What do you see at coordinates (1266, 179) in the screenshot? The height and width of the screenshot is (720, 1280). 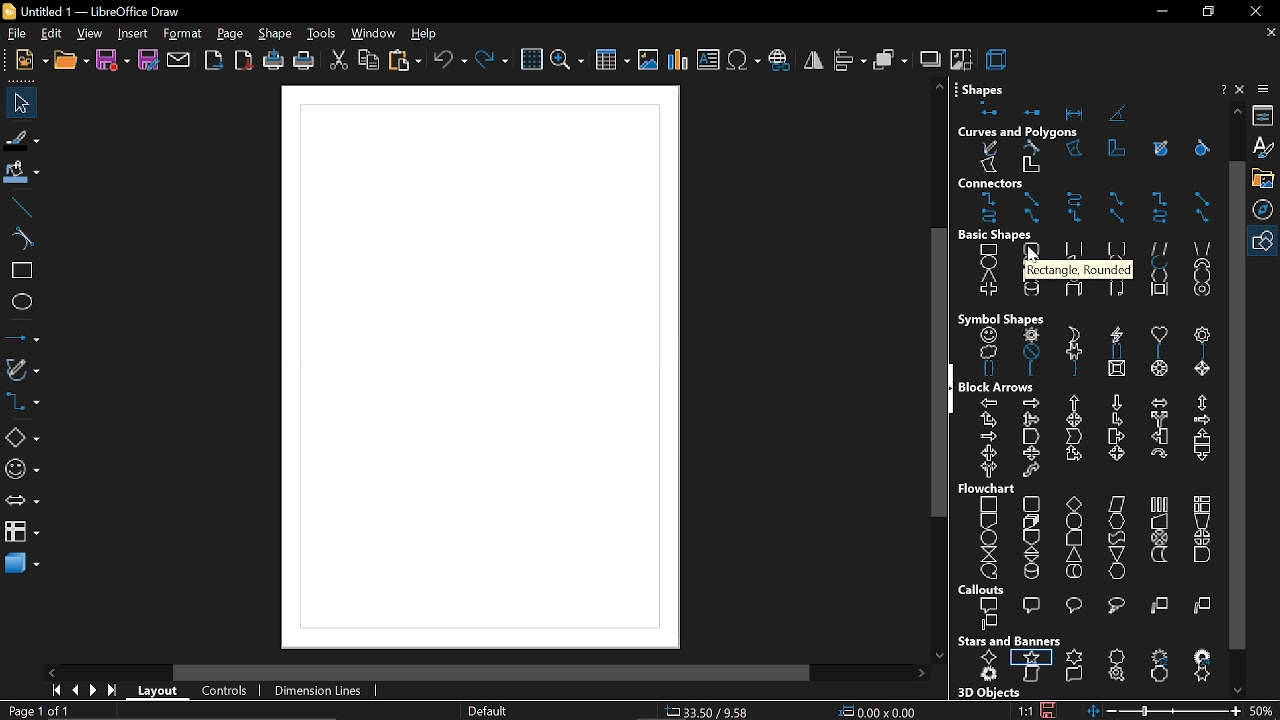 I see `gallery` at bounding box center [1266, 179].